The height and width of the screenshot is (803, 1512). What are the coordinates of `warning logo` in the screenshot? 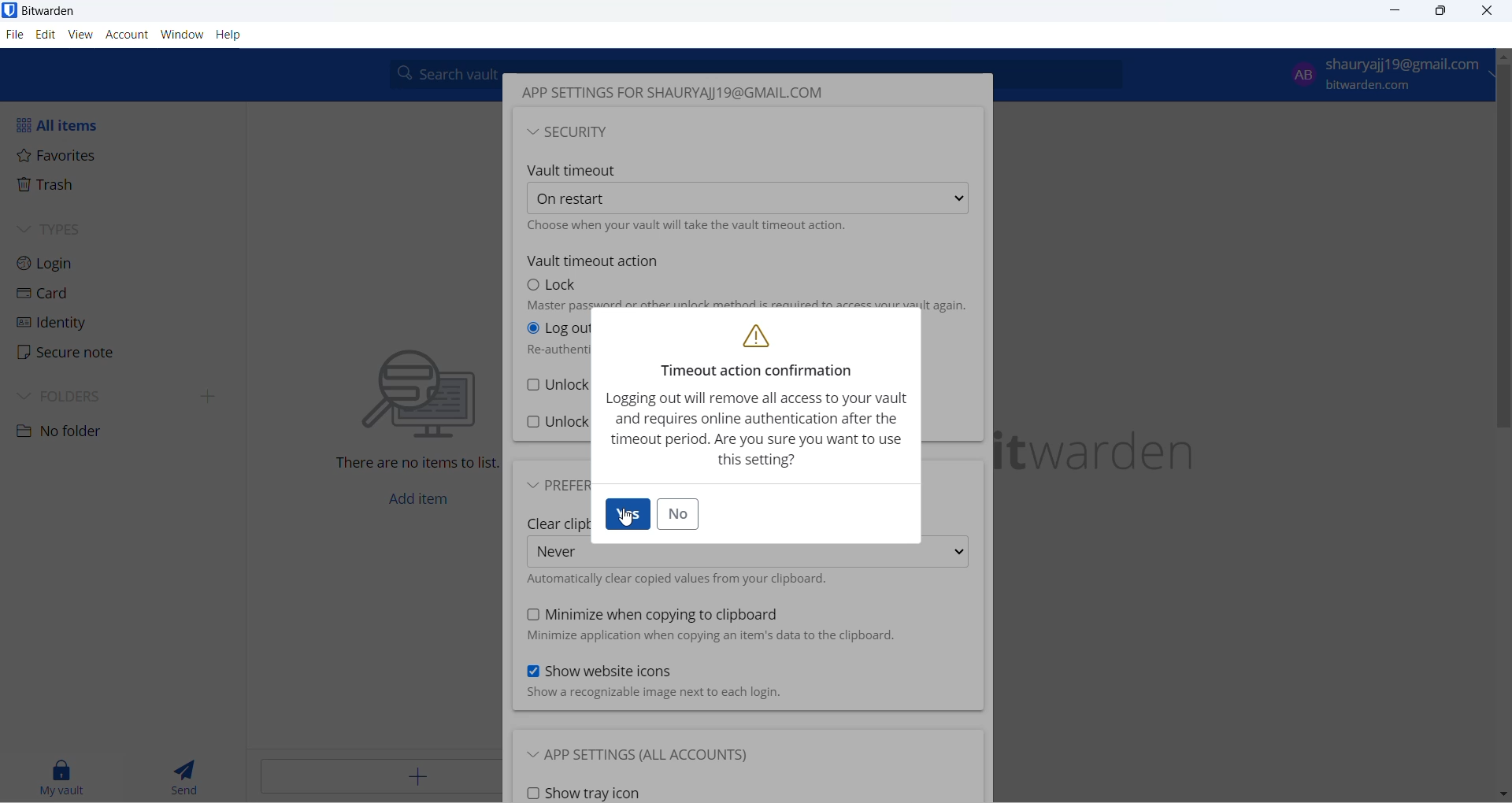 It's located at (759, 335).